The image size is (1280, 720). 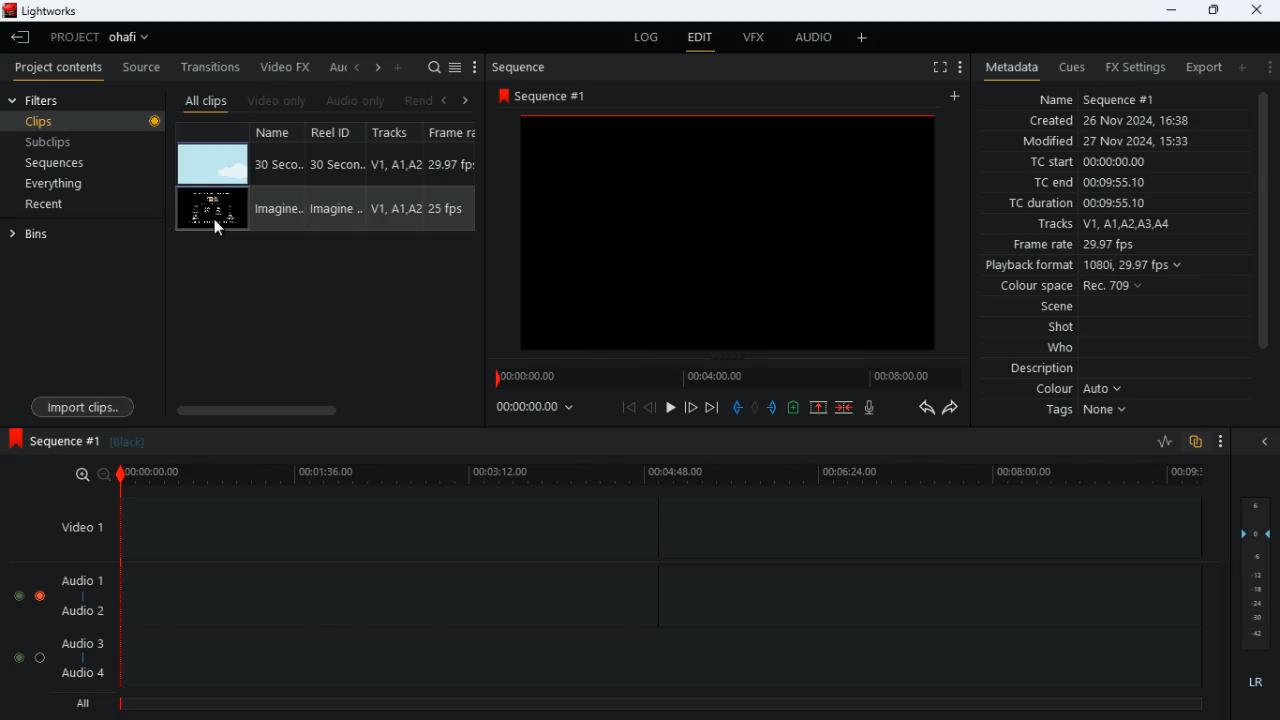 I want to click on modified, so click(x=1106, y=141).